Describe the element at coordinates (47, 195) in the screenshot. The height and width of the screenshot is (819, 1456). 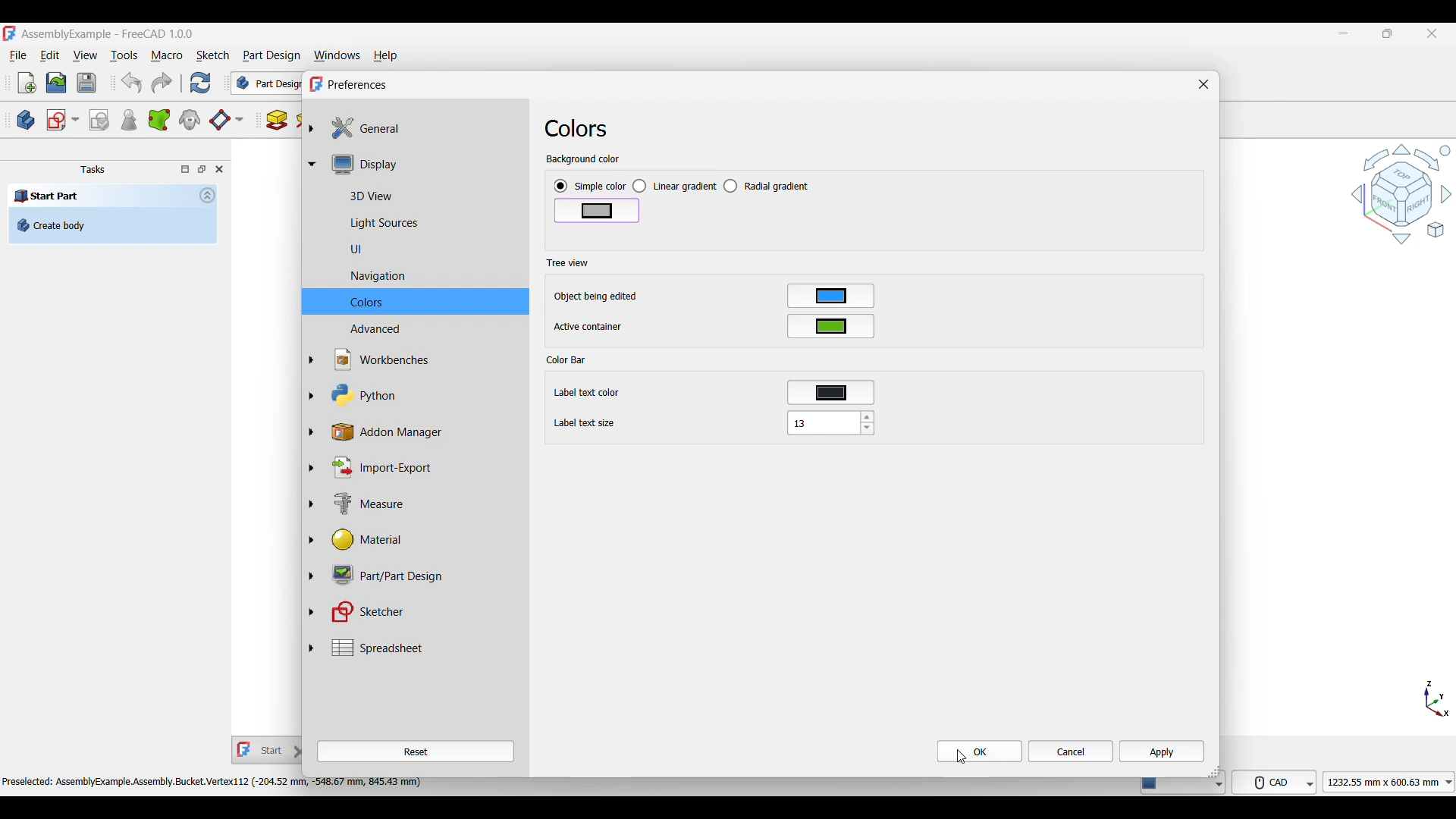
I see `Start Part` at that location.